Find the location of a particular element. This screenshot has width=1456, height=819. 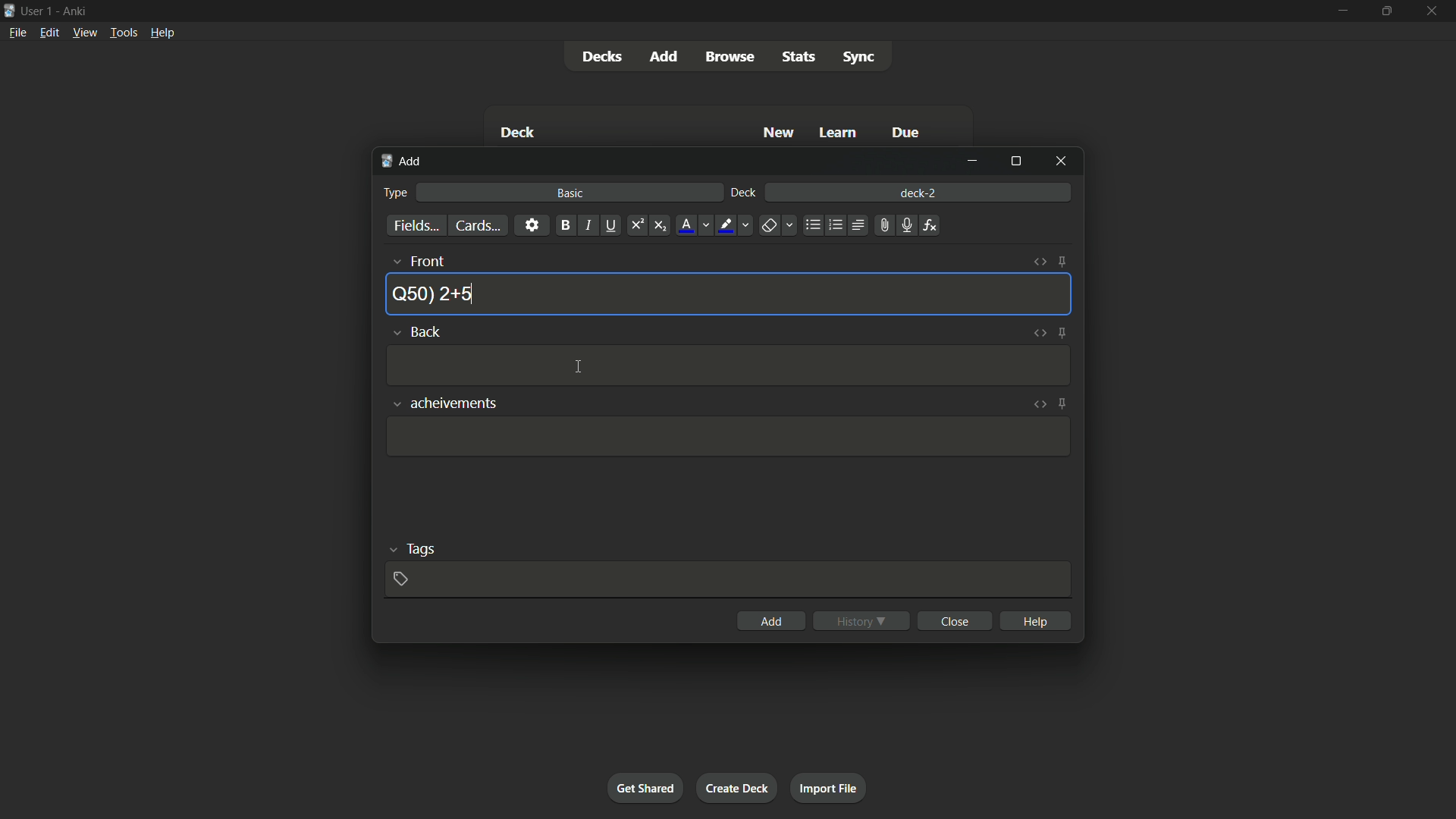

stats is located at coordinates (802, 58).